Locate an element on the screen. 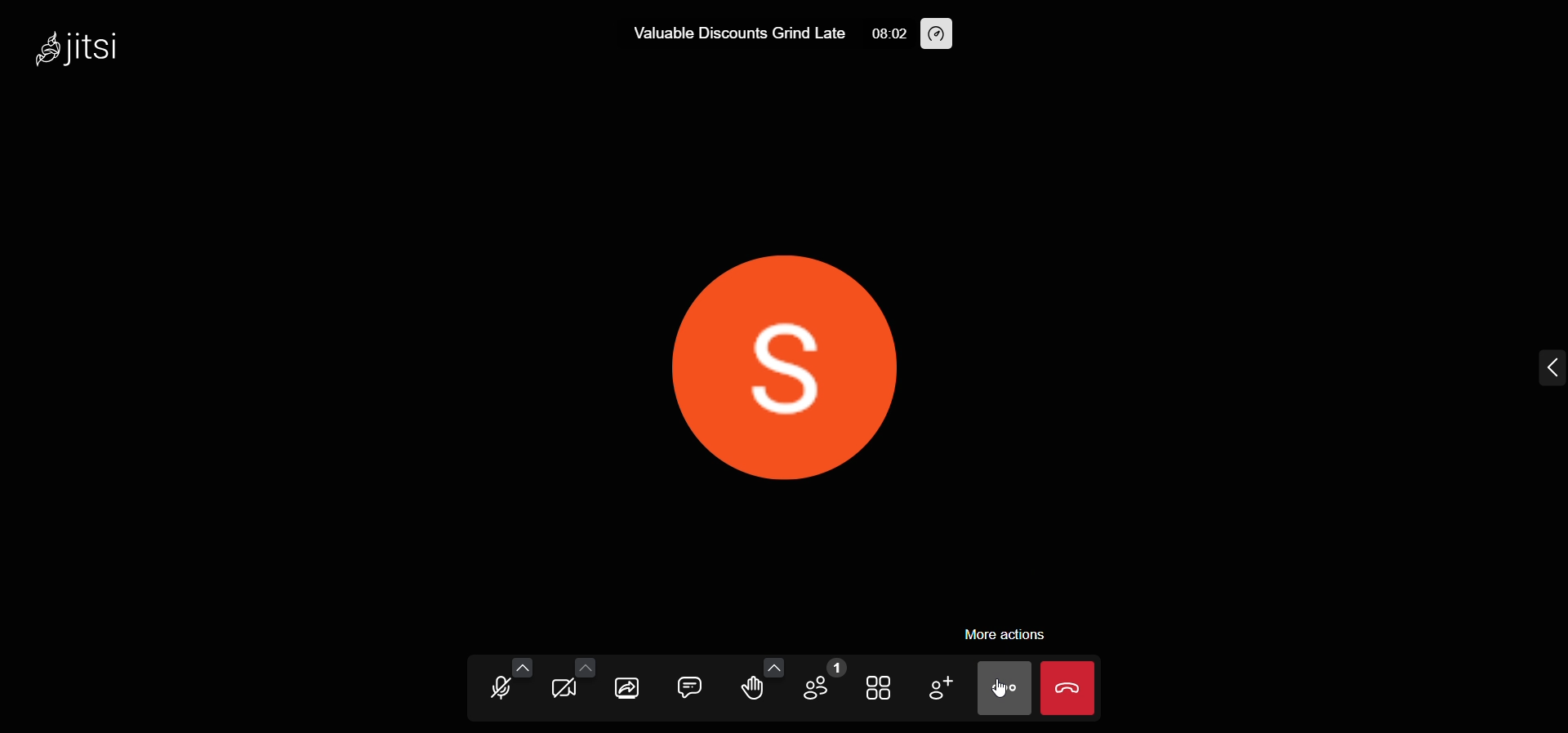 The image size is (1568, 733). performance setting is located at coordinates (938, 34).